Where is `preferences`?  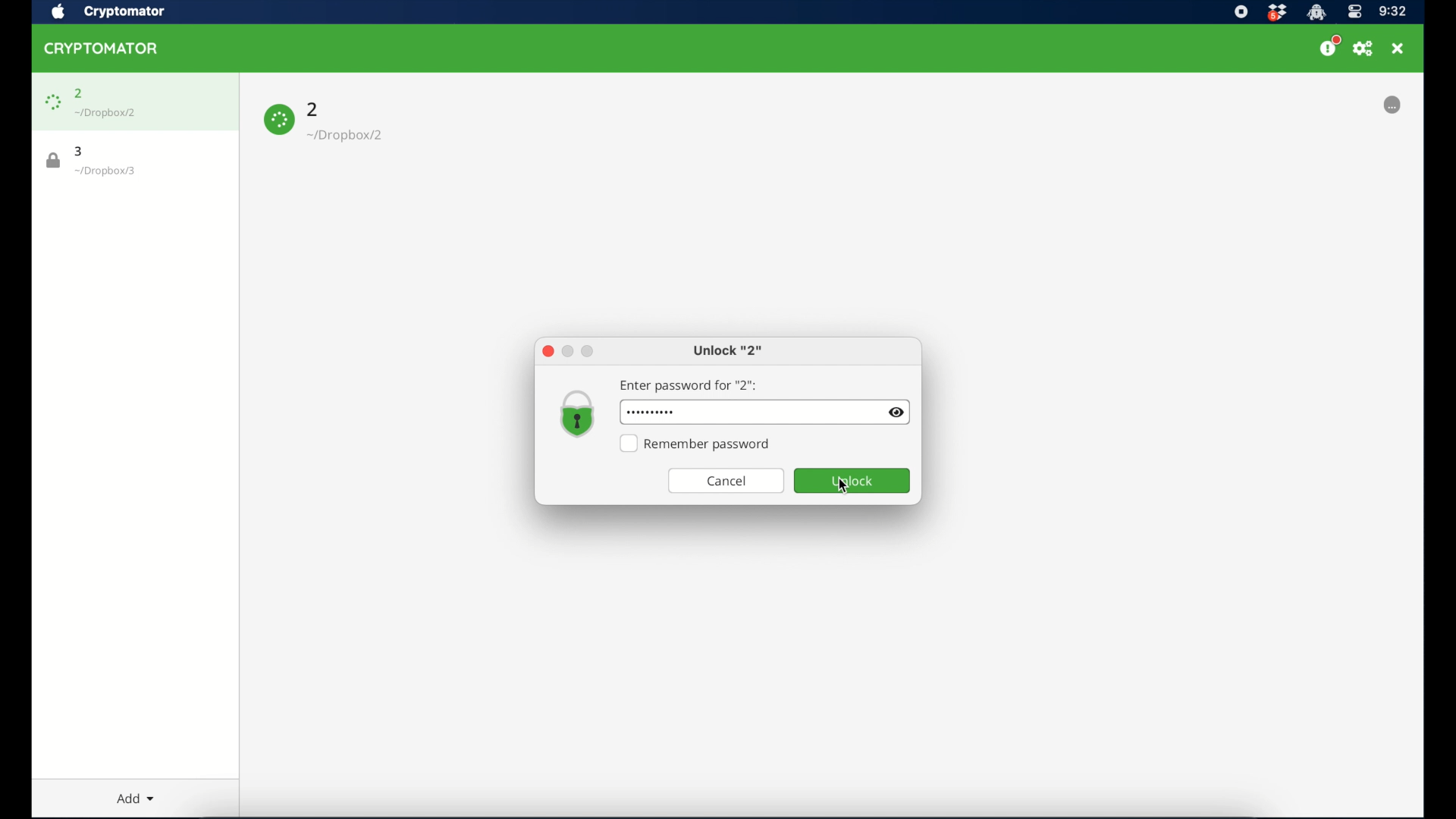
preferences is located at coordinates (1364, 49).